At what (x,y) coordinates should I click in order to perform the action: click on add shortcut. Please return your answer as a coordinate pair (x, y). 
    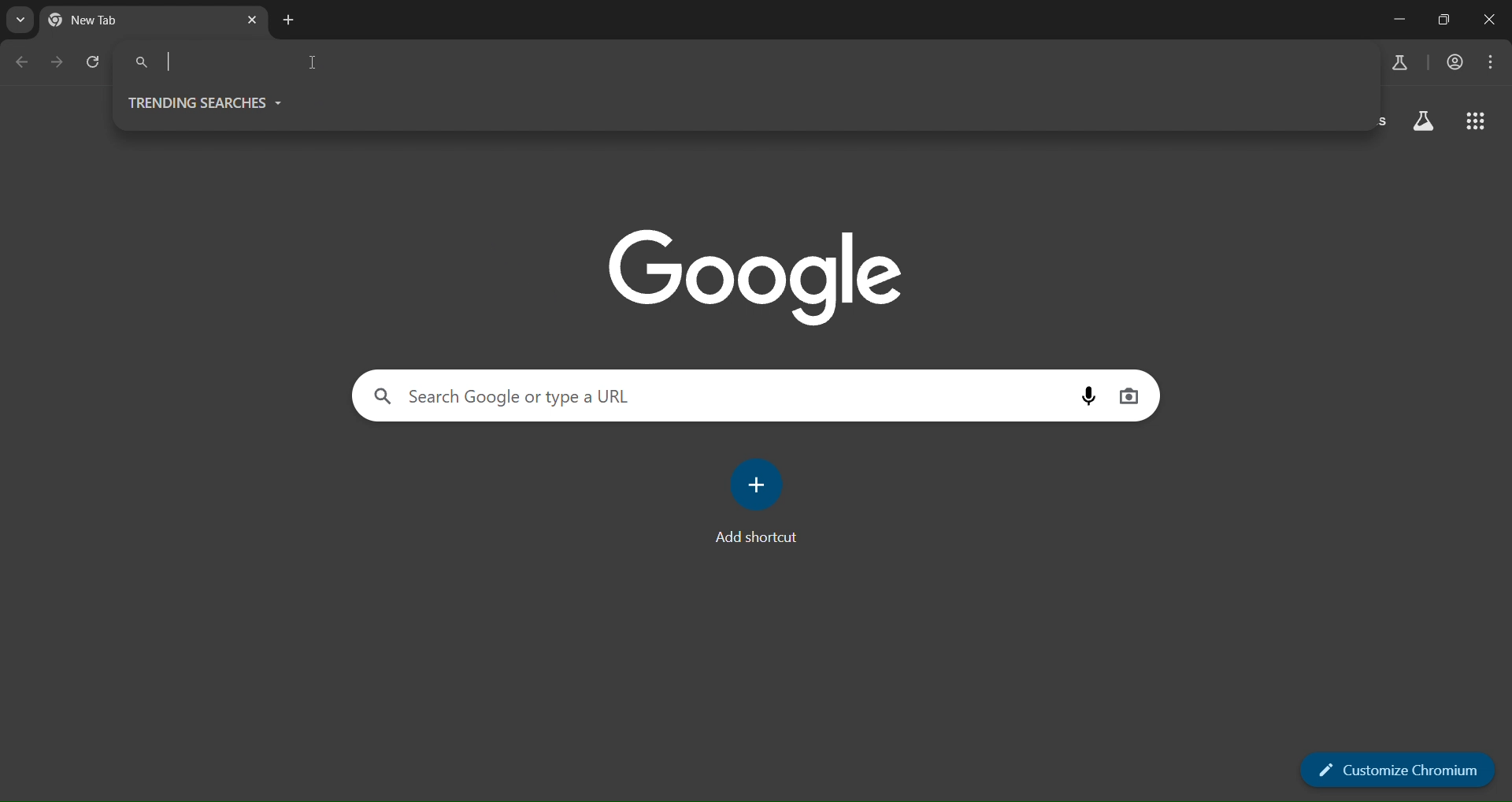
    Looking at the image, I should click on (759, 497).